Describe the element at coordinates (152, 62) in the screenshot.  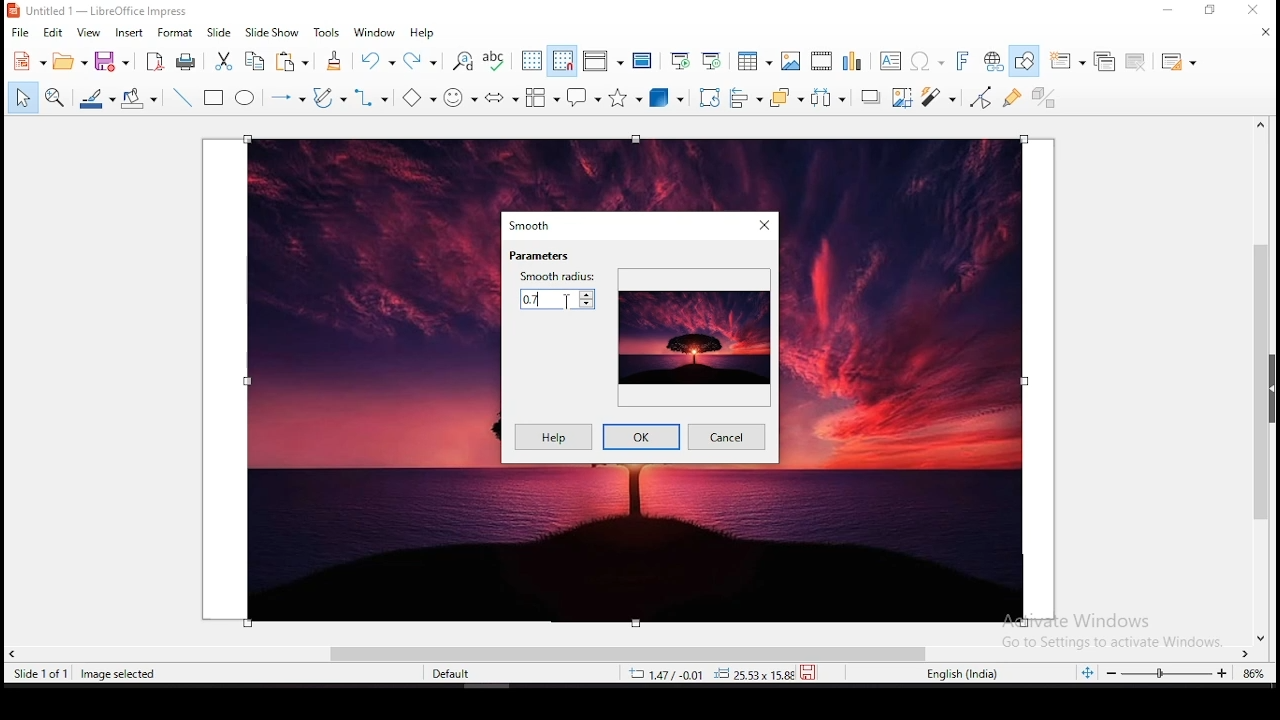
I see `export directly as pdf` at that location.